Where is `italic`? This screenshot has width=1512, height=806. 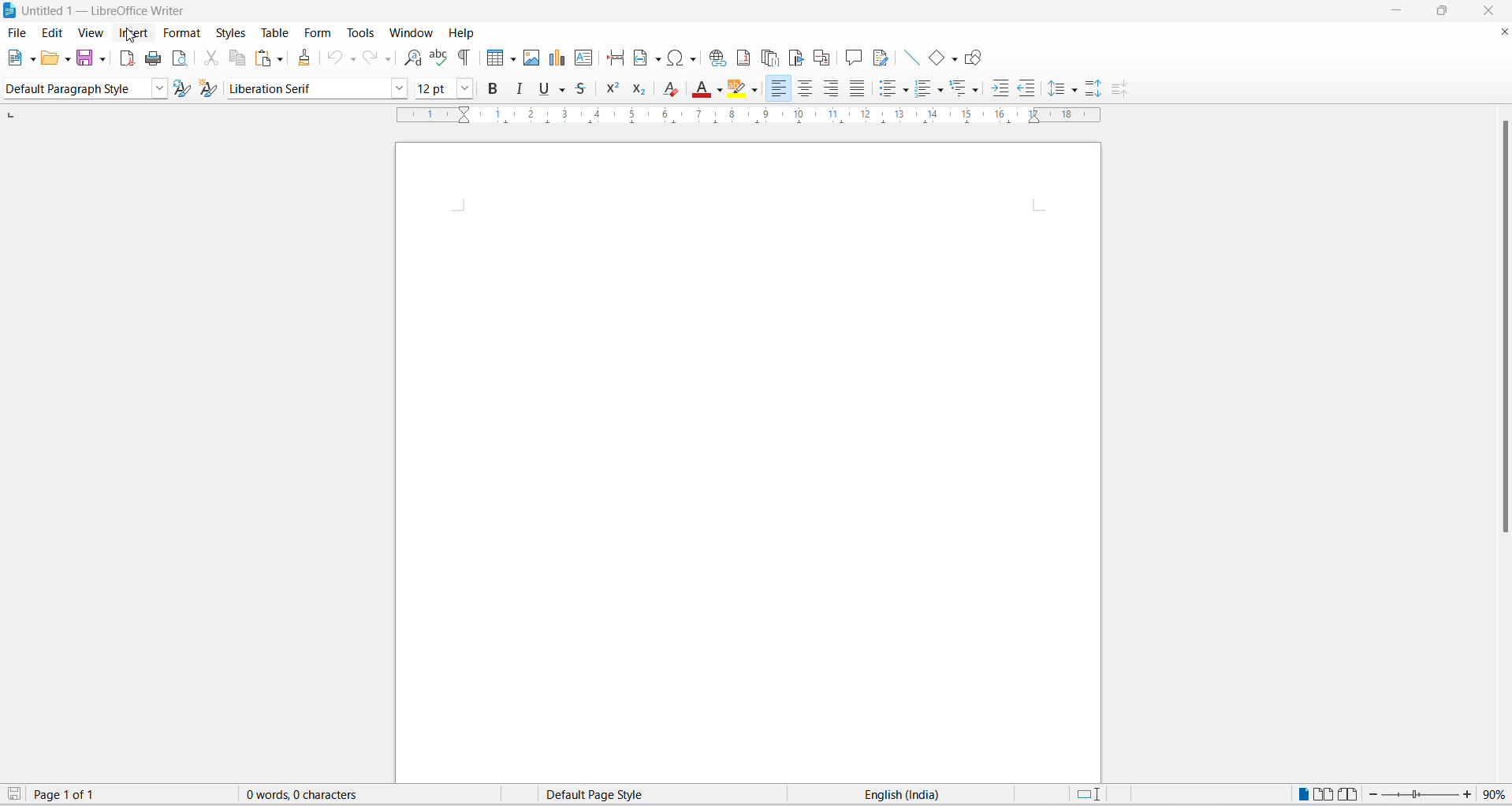
italic is located at coordinates (520, 89).